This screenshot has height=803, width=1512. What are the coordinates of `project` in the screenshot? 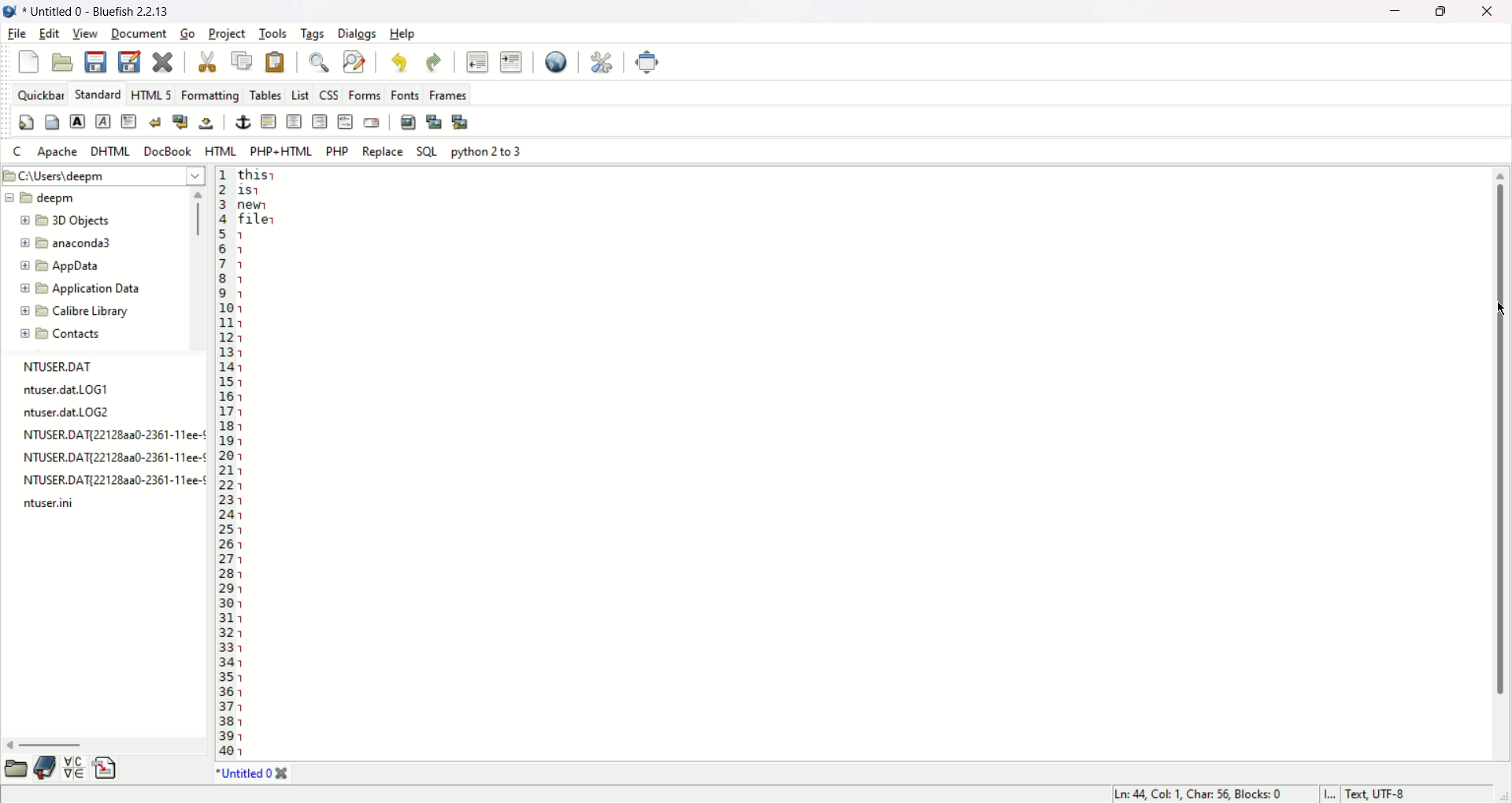 It's located at (228, 35).